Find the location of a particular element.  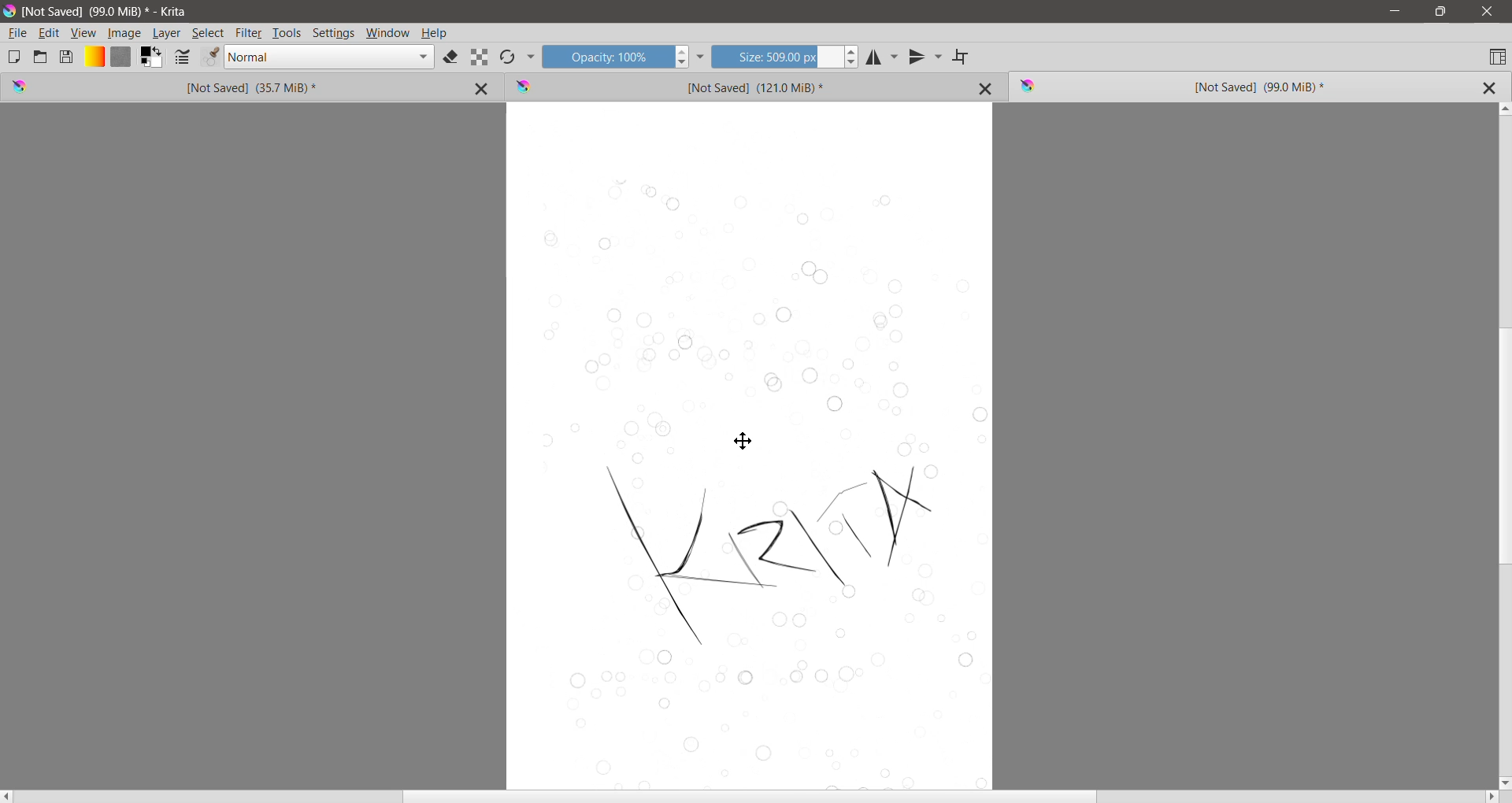

Close Tab is located at coordinates (484, 87).